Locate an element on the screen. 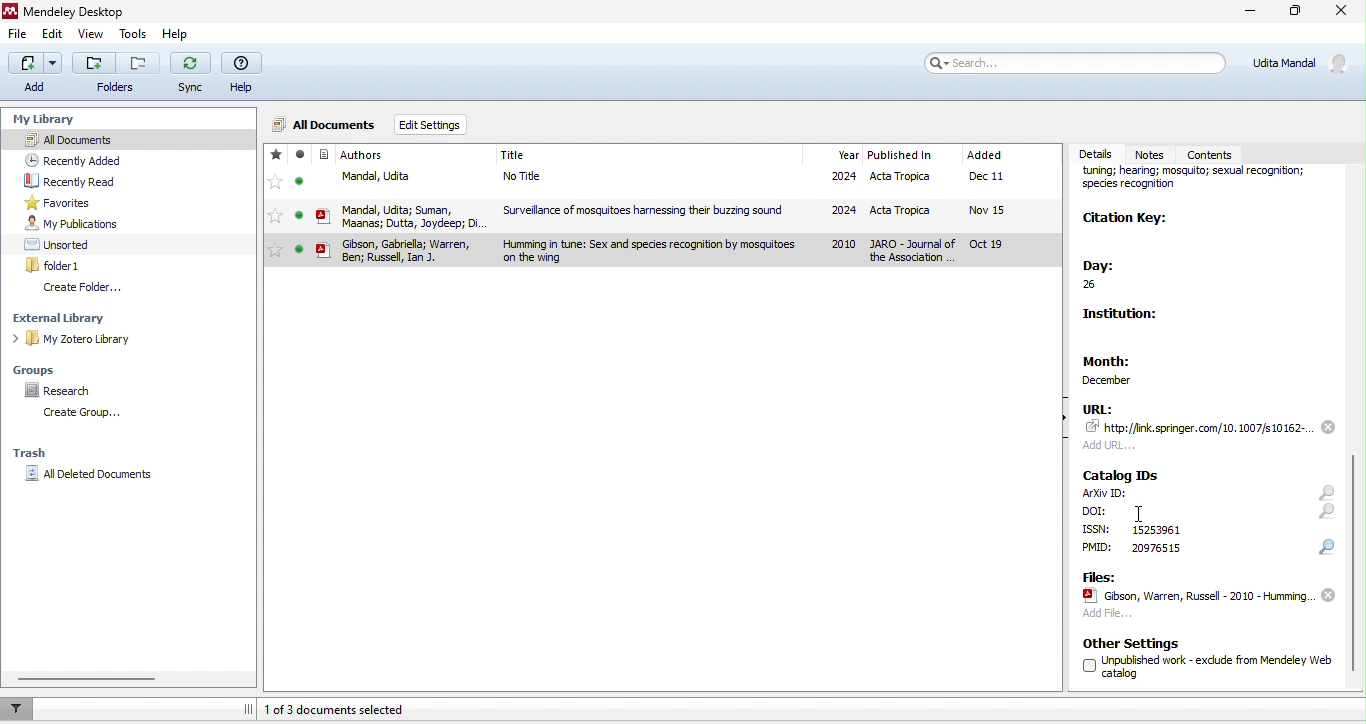  edit settings is located at coordinates (435, 126).